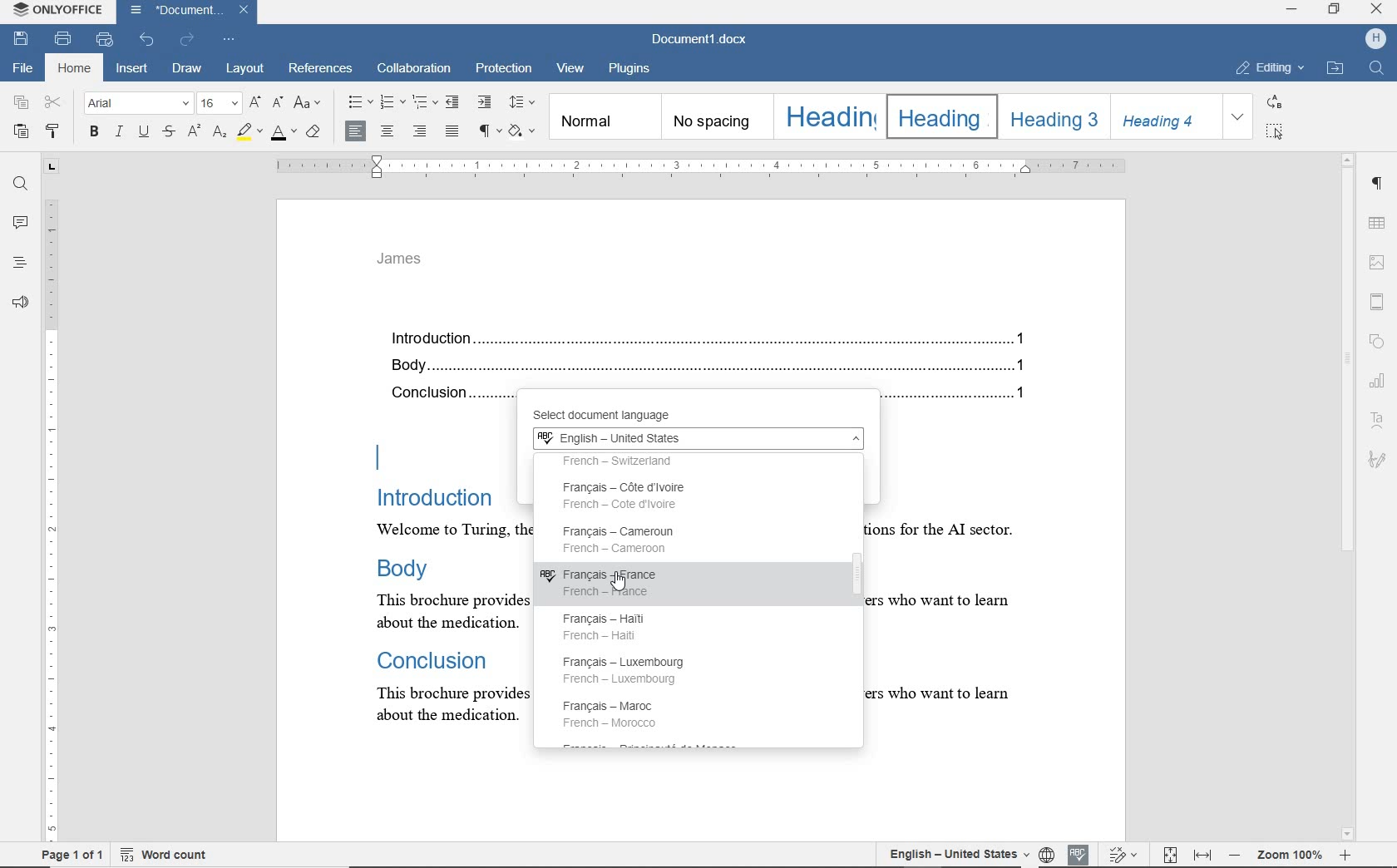  What do you see at coordinates (120, 132) in the screenshot?
I see `italic` at bounding box center [120, 132].